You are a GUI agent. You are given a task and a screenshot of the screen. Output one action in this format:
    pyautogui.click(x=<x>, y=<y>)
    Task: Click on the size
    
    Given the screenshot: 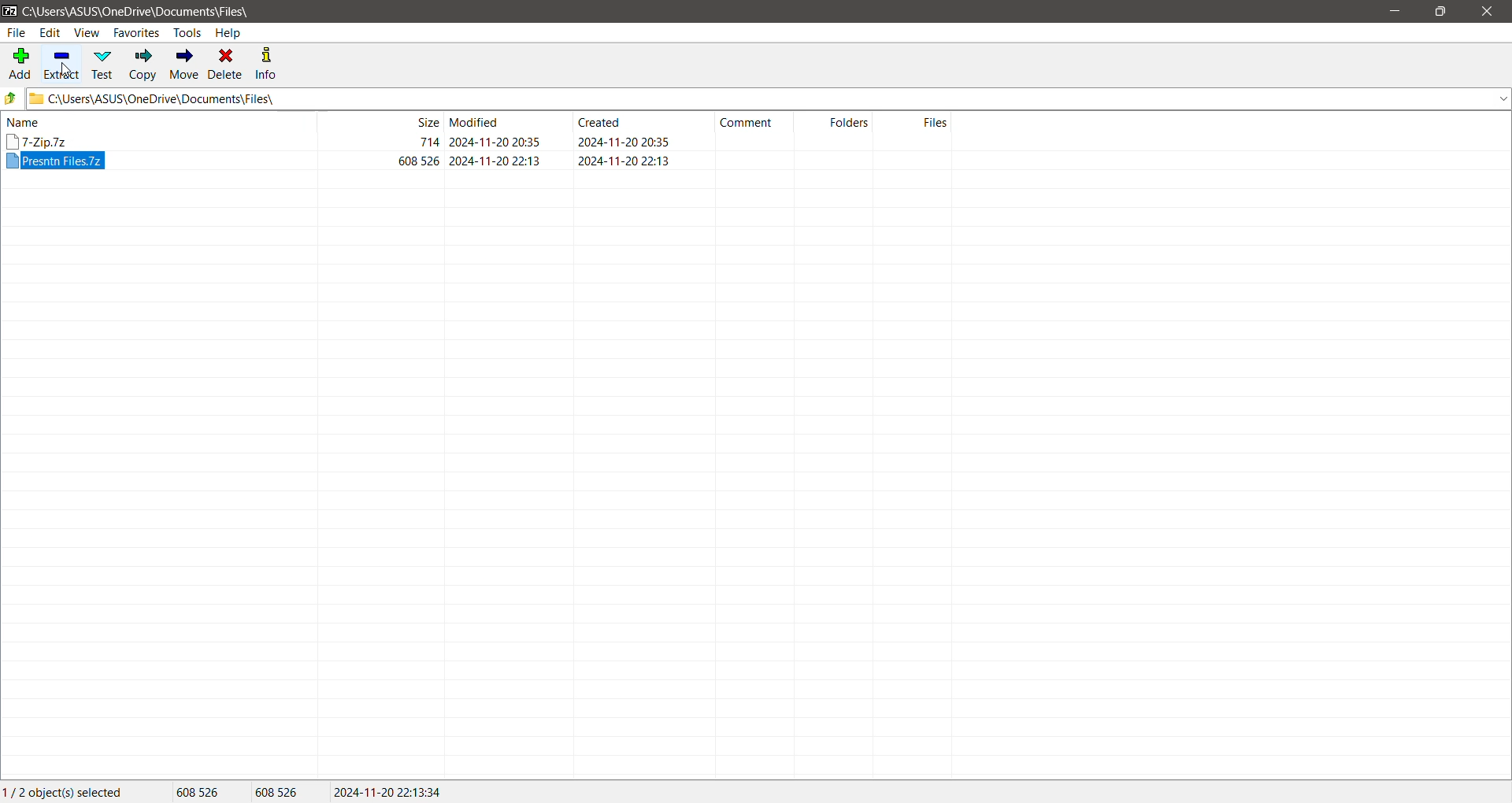 What is the action you would take?
    pyautogui.click(x=428, y=142)
    